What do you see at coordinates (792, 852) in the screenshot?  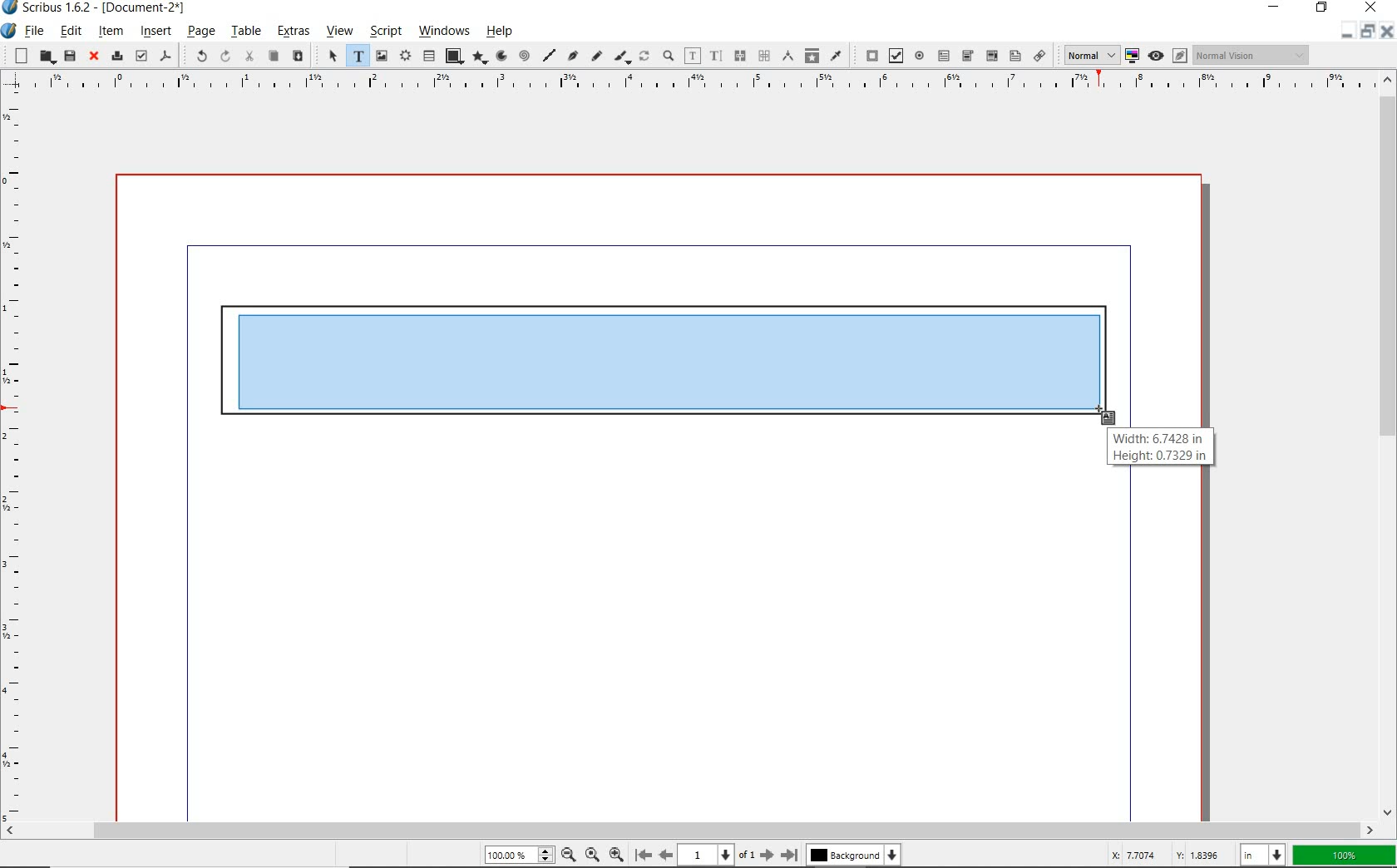 I see `move to last` at bounding box center [792, 852].